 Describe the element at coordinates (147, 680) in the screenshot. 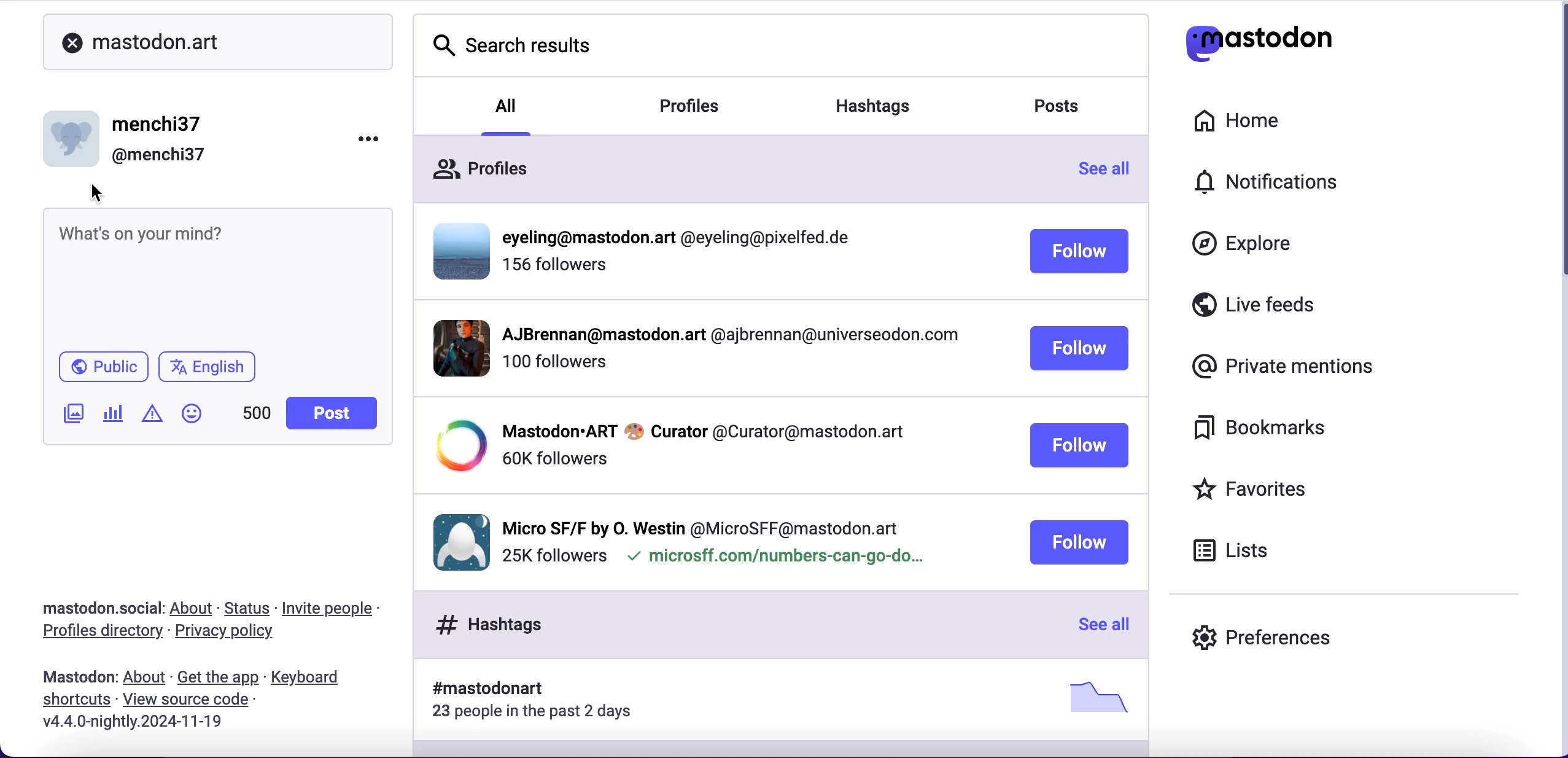

I see `about` at that location.